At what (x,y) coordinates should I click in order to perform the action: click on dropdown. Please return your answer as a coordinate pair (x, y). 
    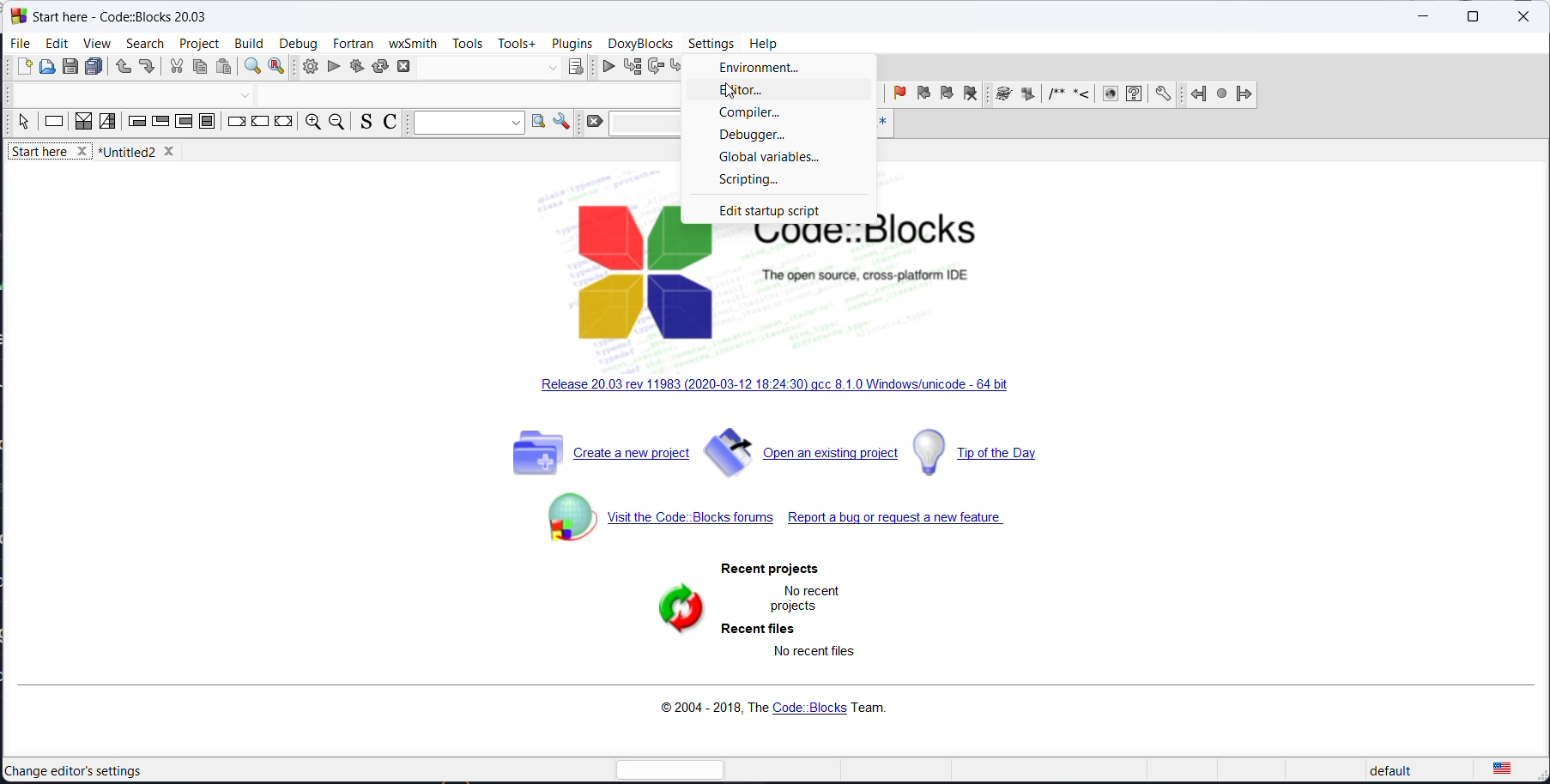
    Looking at the image, I should click on (245, 97).